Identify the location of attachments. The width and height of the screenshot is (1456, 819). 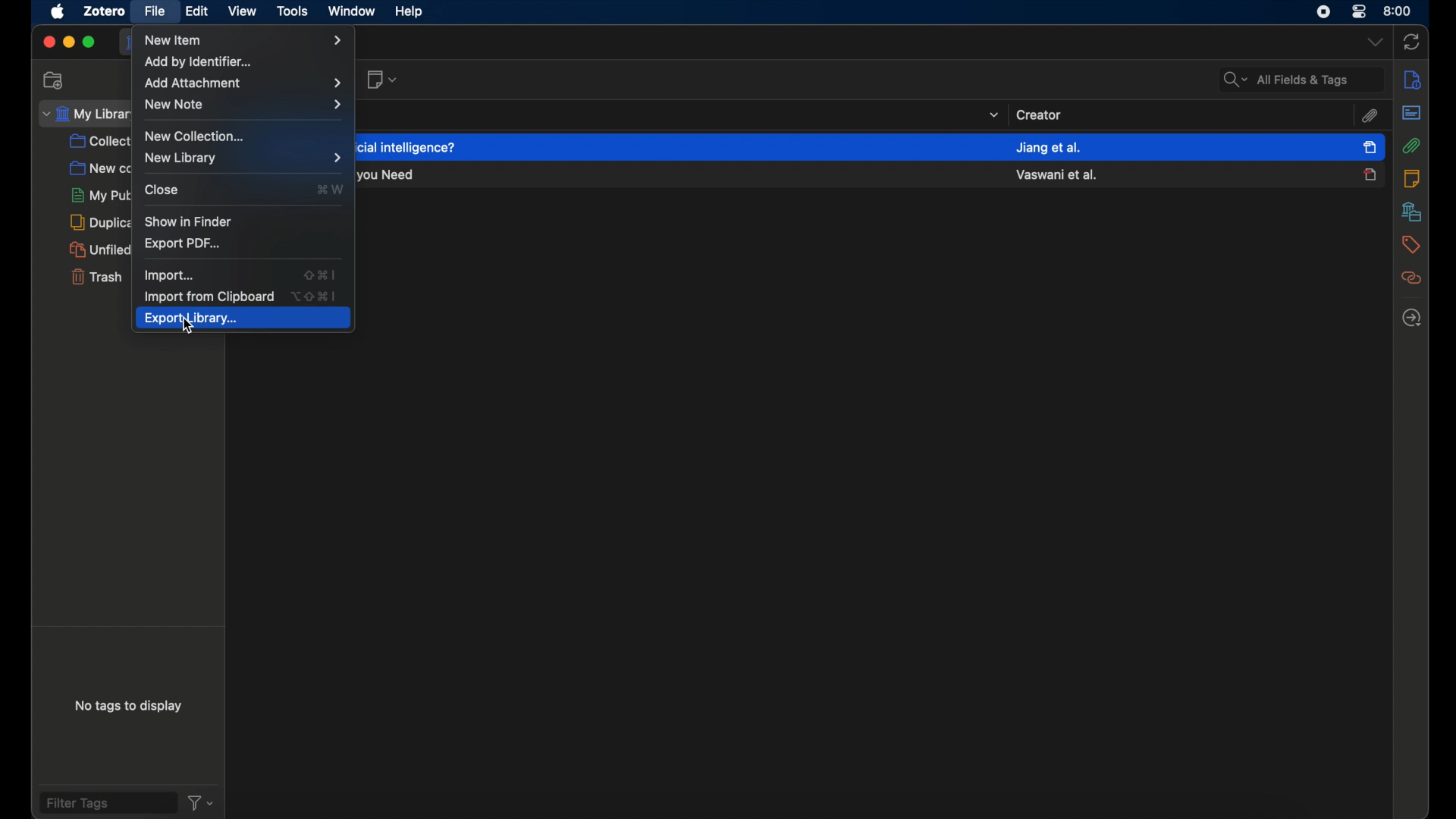
(1411, 146).